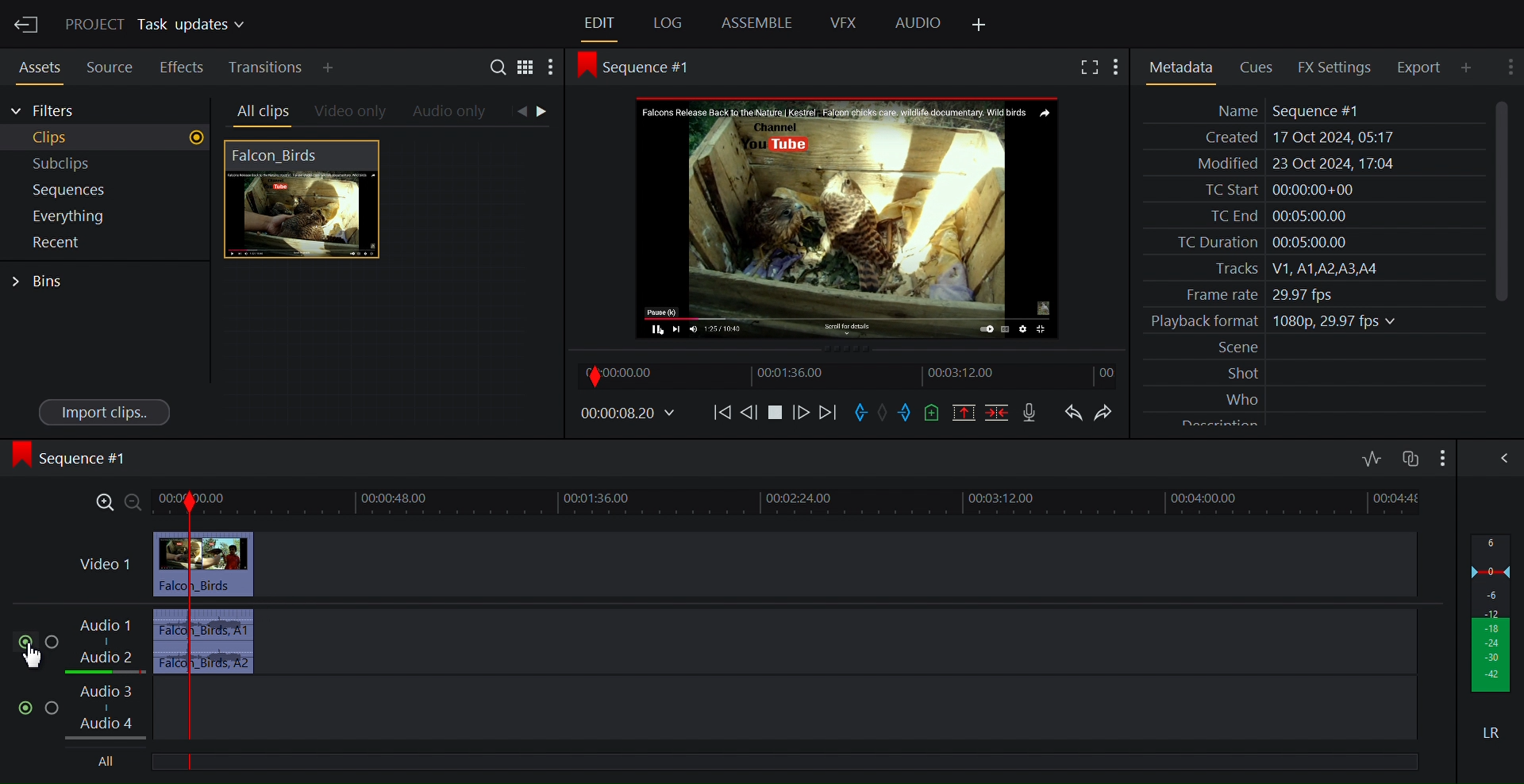 This screenshot has width=1524, height=784. What do you see at coordinates (758, 22) in the screenshot?
I see `Assemble` at bounding box center [758, 22].